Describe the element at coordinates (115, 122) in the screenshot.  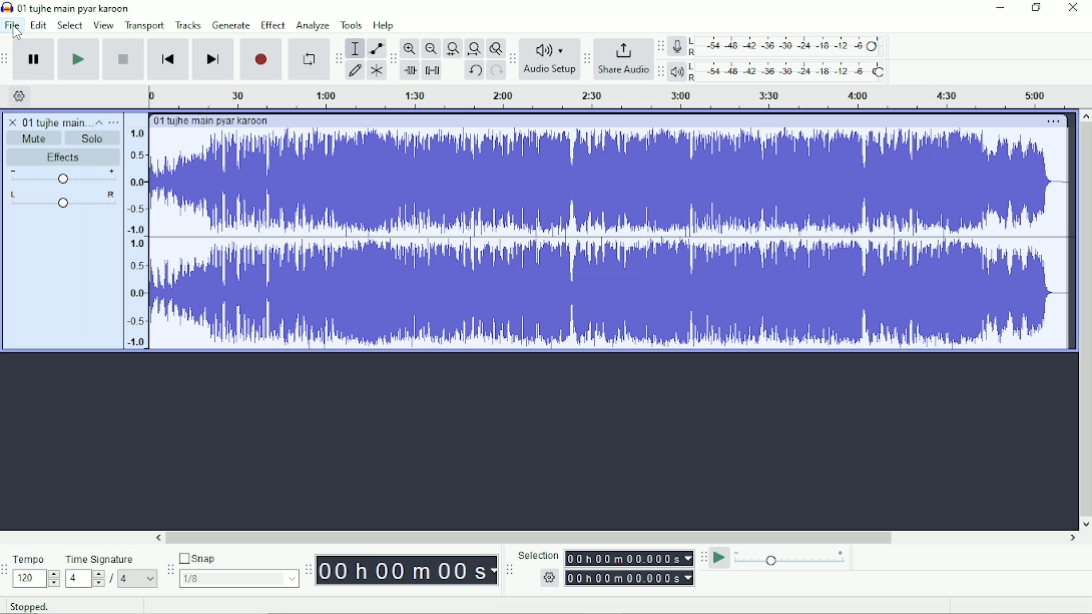
I see `Open menu` at that location.